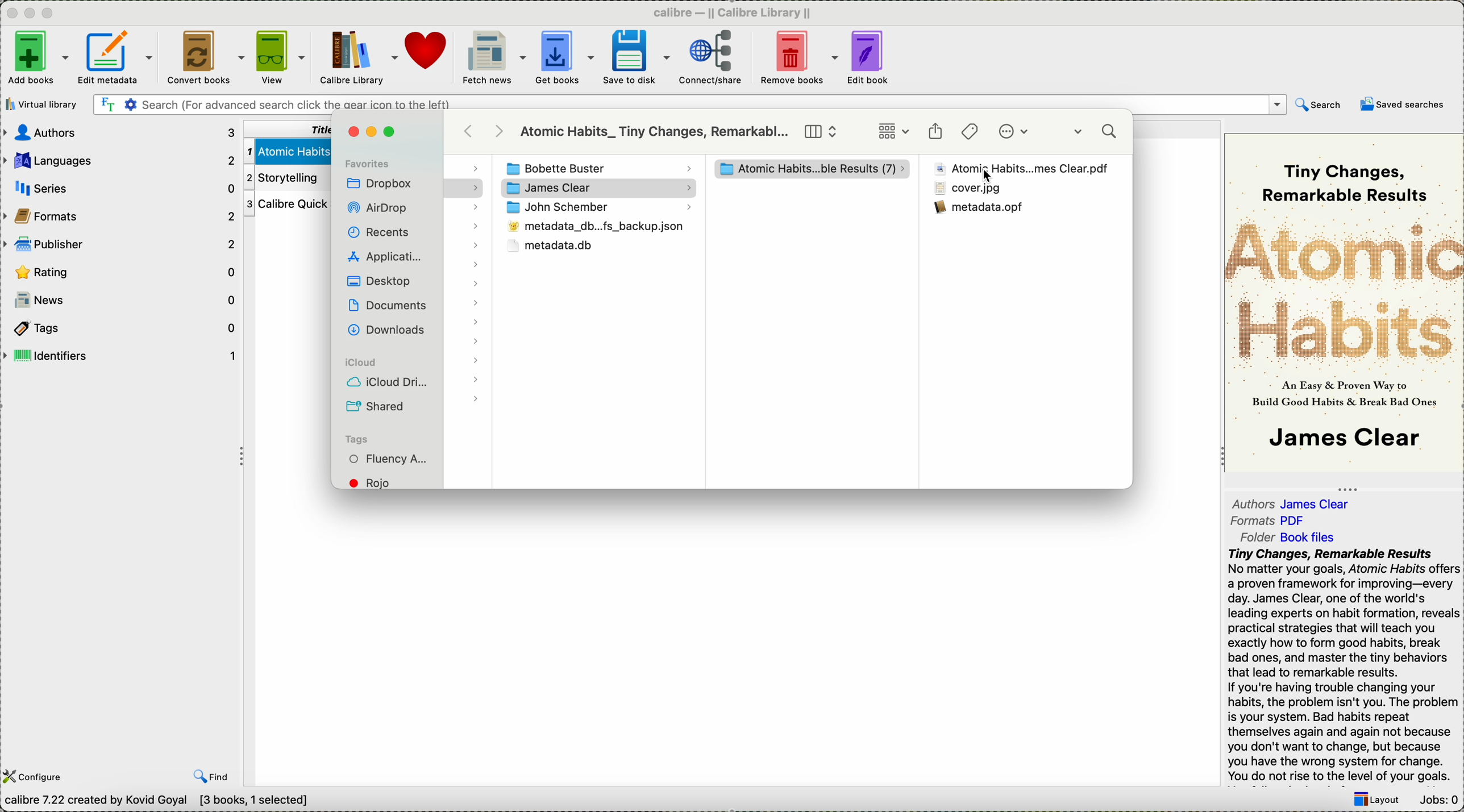 Image resolution: width=1464 pixels, height=812 pixels. Describe the element at coordinates (737, 12) in the screenshot. I see `Calibre` at that location.